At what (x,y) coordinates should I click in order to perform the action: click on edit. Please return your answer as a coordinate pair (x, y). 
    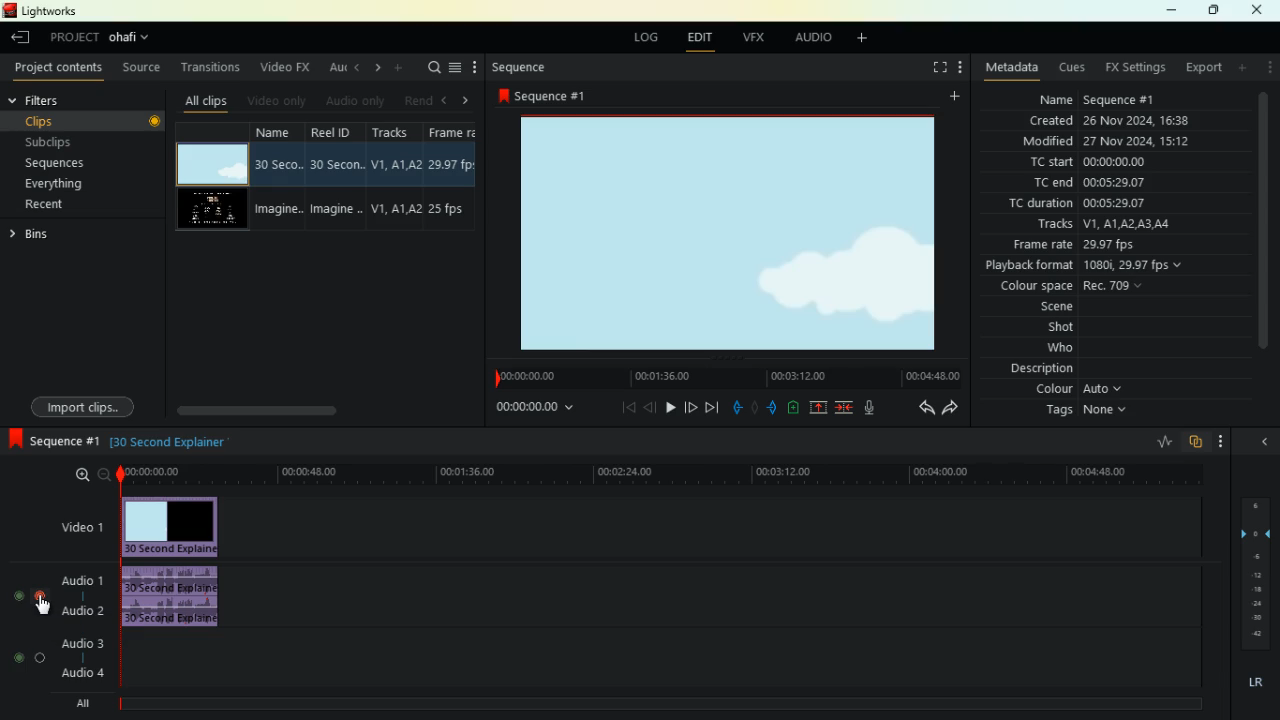
    Looking at the image, I should click on (697, 38).